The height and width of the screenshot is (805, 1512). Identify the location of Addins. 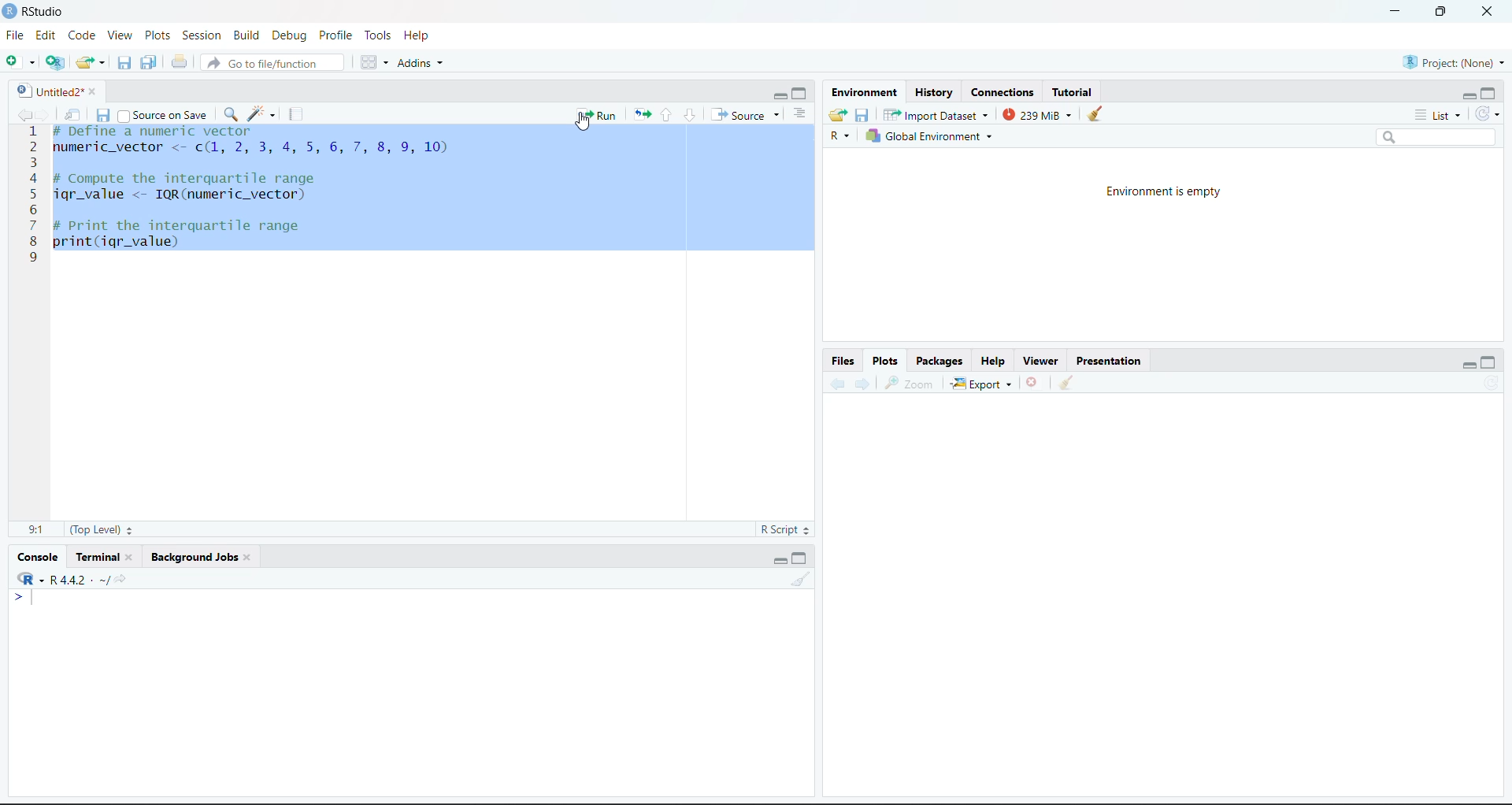
(423, 62).